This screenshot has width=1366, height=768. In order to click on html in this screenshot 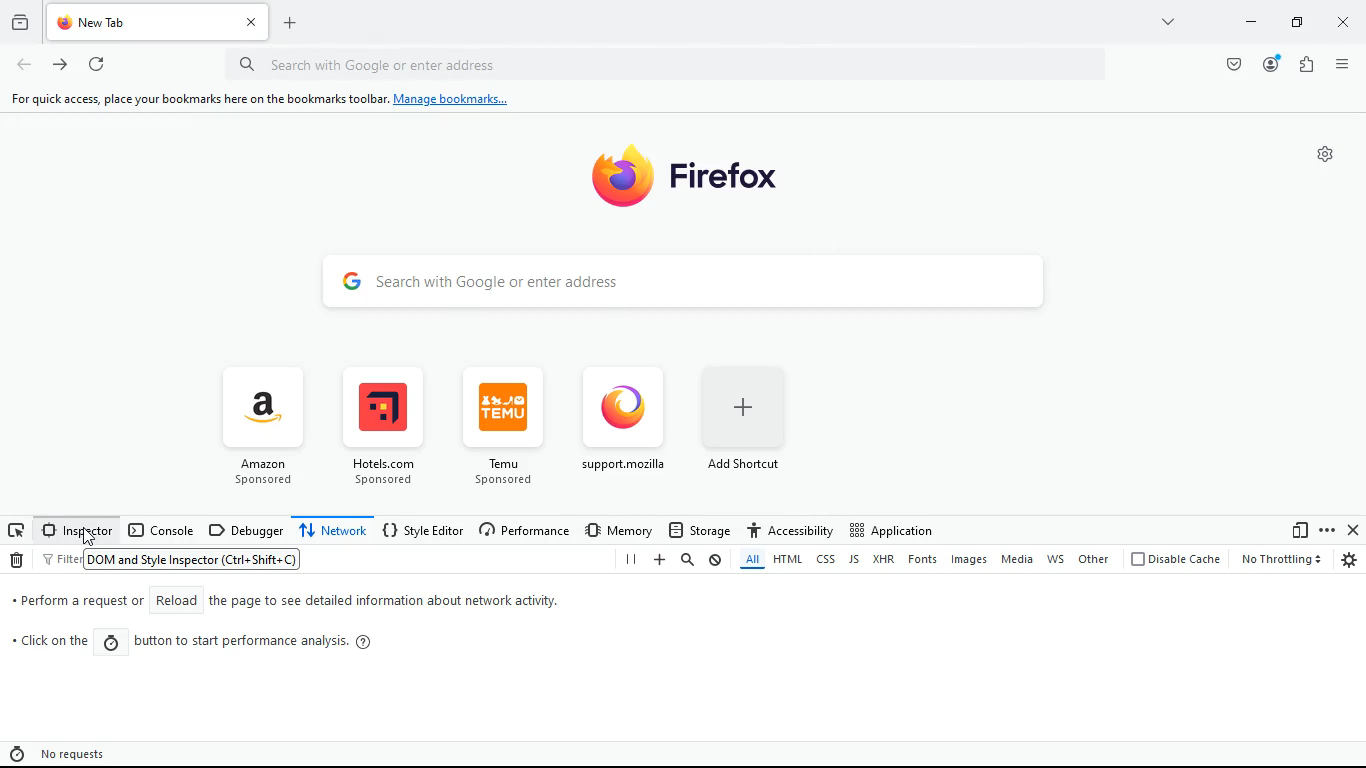, I will do `click(787, 560)`.